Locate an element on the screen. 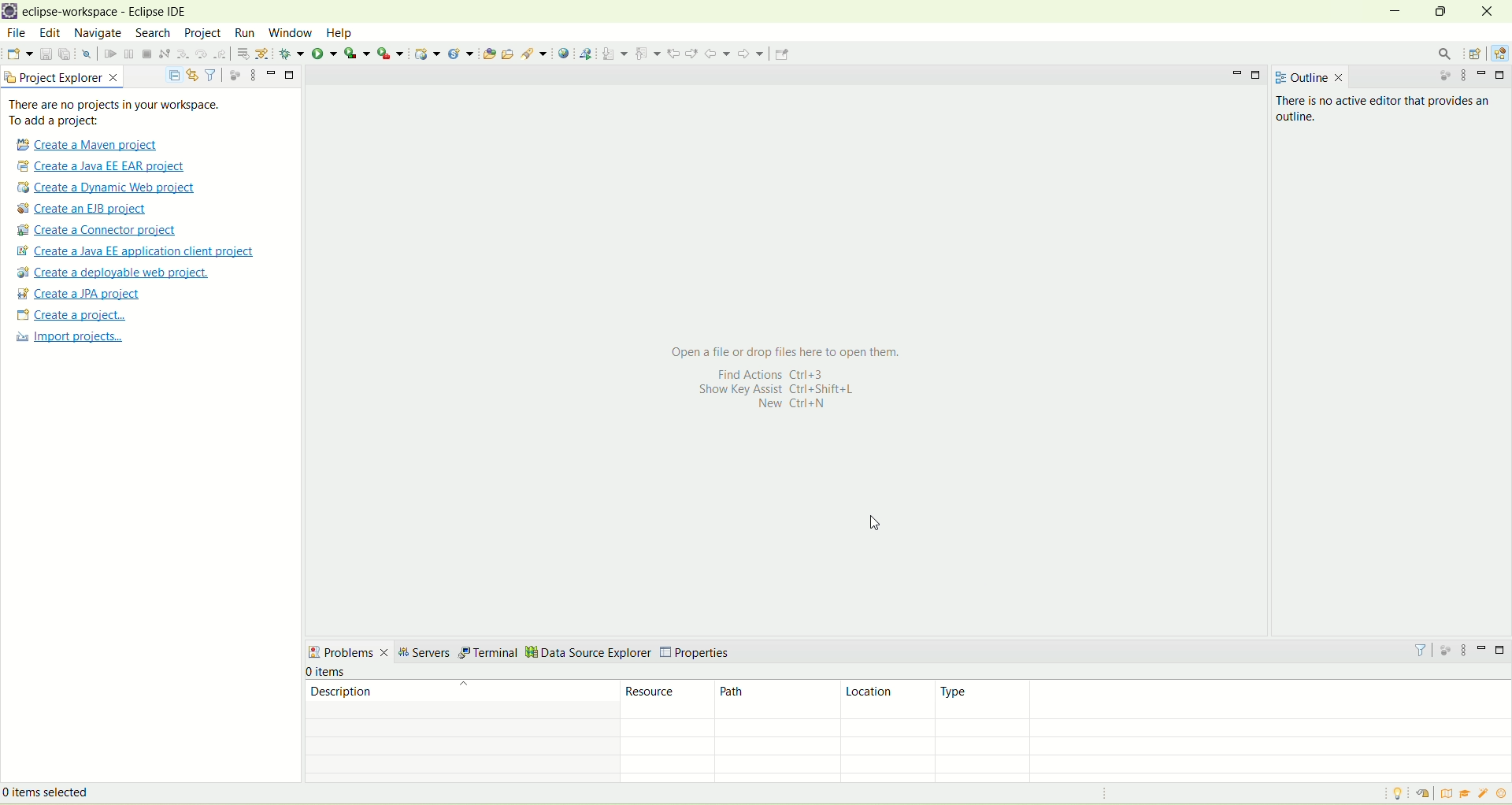 This screenshot has height=805, width=1512. open web browser is located at coordinates (624, 53).